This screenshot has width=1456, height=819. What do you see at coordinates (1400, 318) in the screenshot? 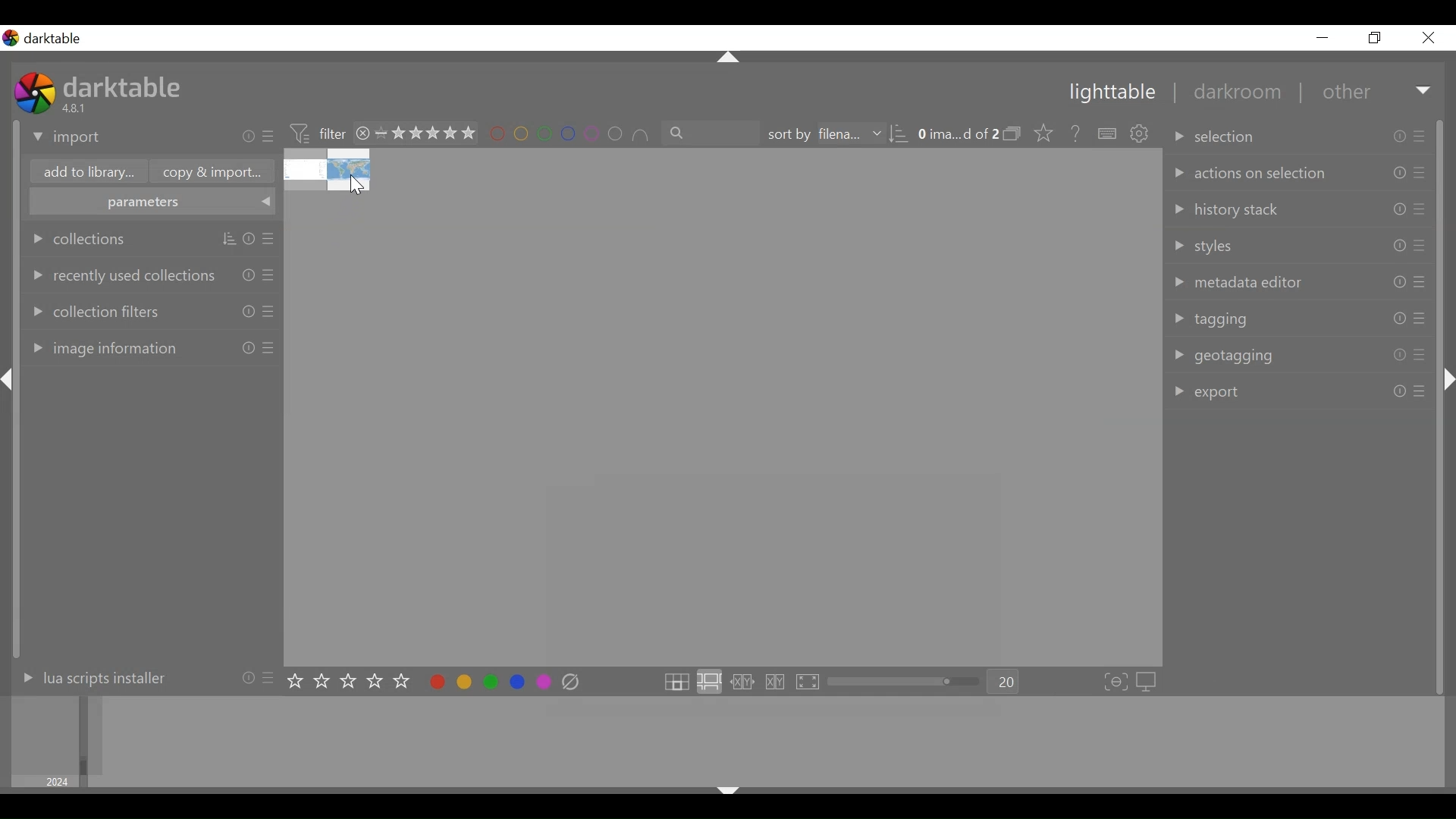
I see `` at bounding box center [1400, 318].